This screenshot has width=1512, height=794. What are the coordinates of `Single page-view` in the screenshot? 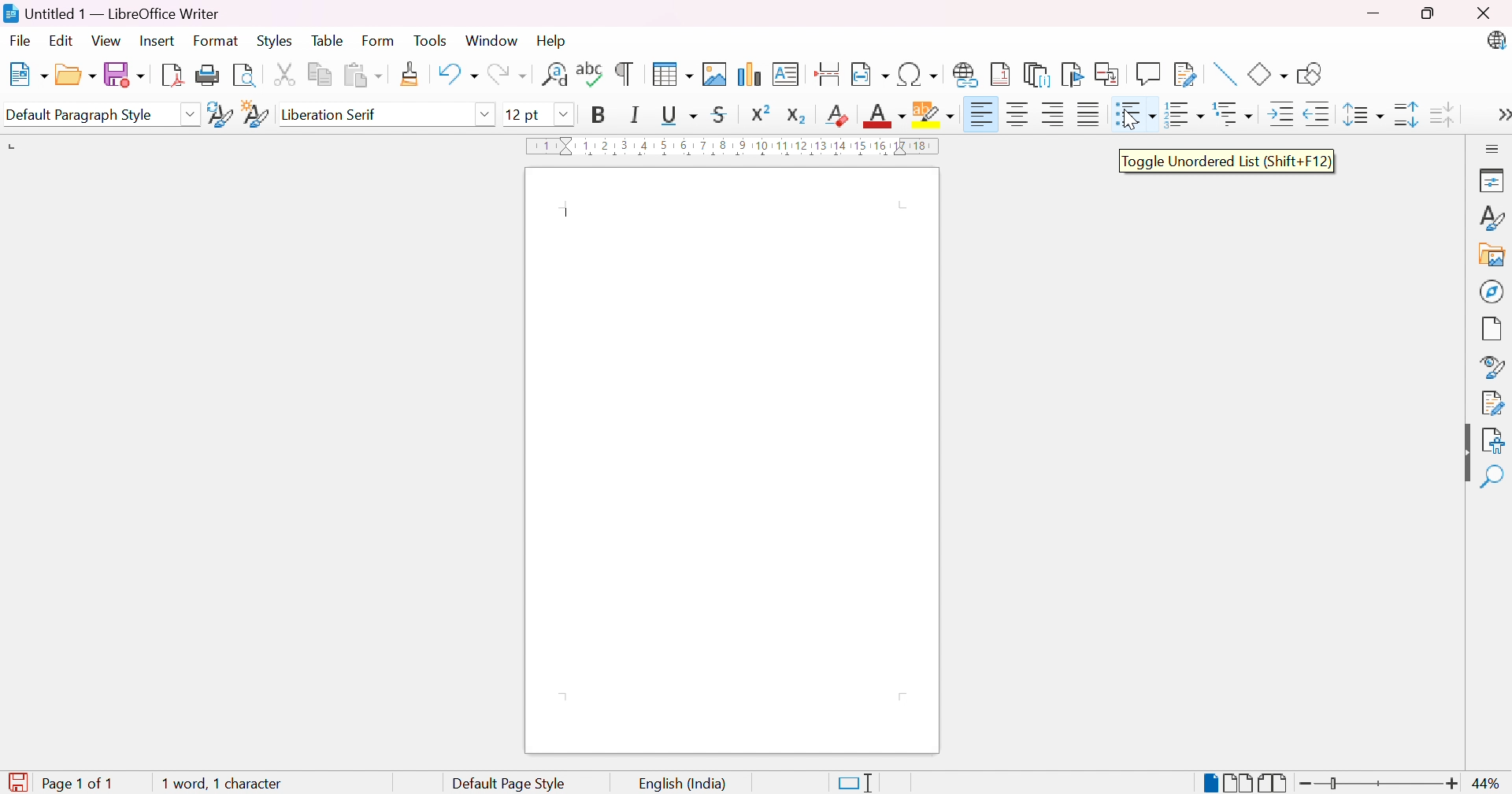 It's located at (1209, 784).